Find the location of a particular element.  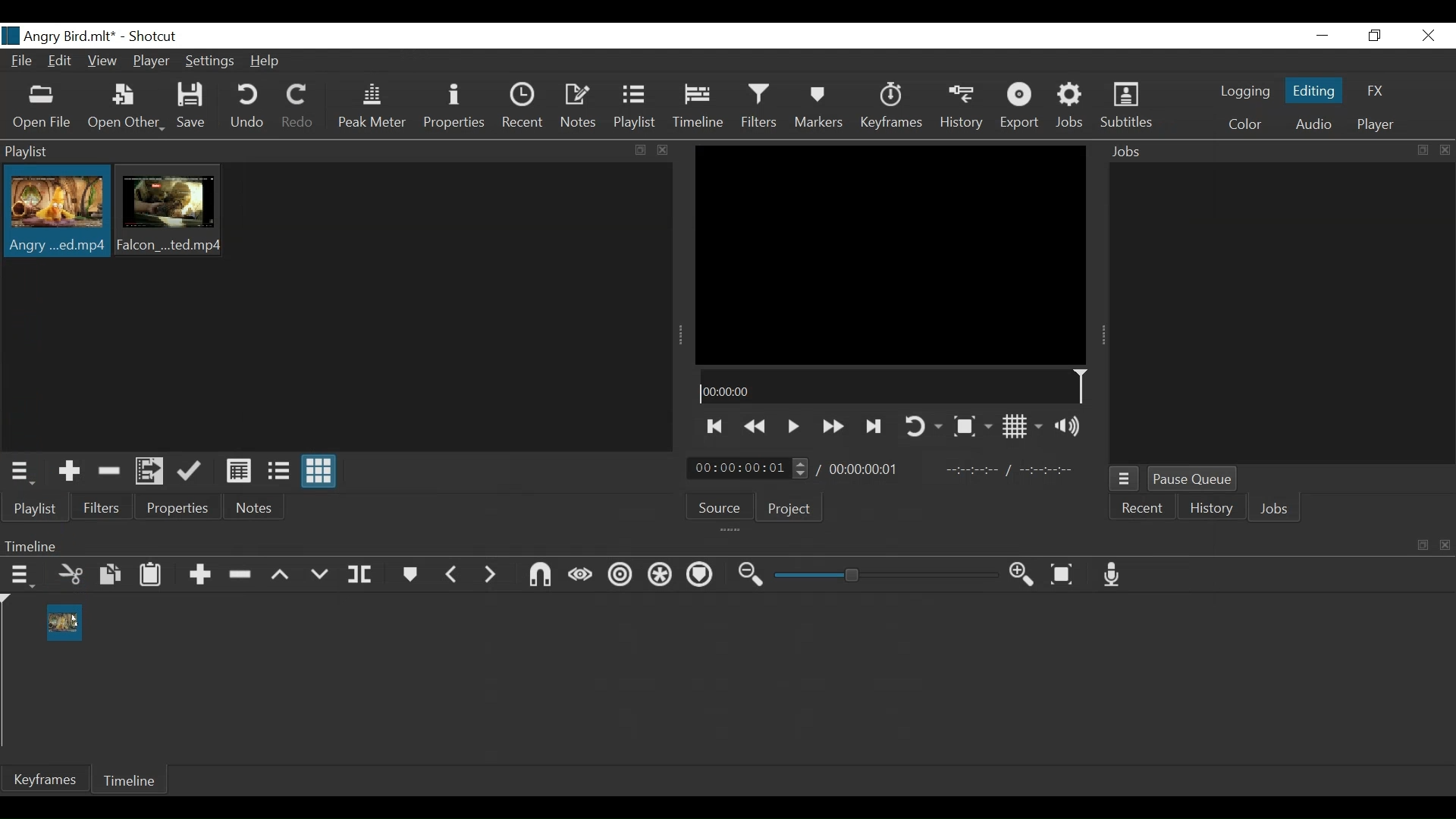

Close is located at coordinates (1426, 35).